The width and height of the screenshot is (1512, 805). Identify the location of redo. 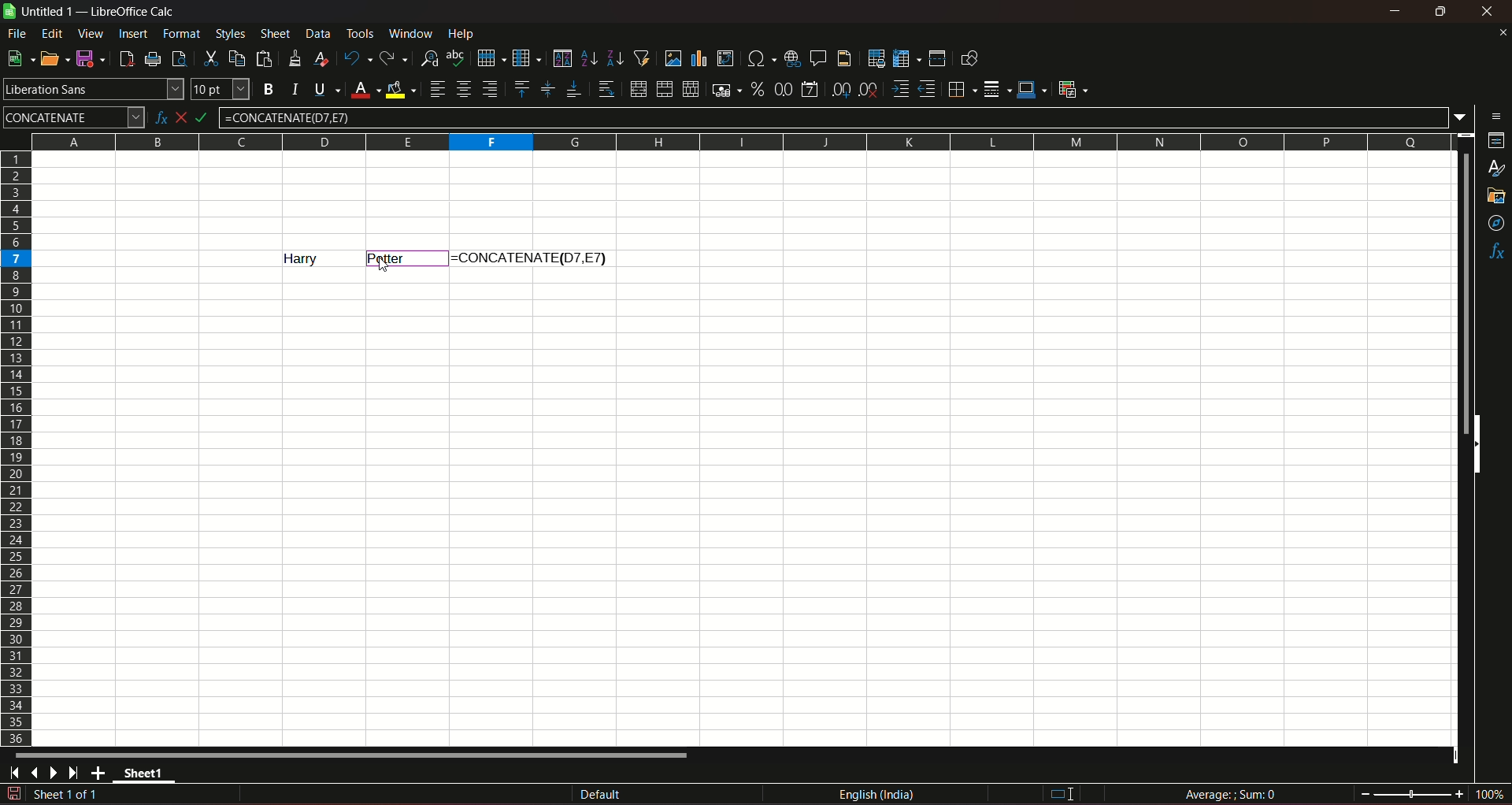
(394, 57).